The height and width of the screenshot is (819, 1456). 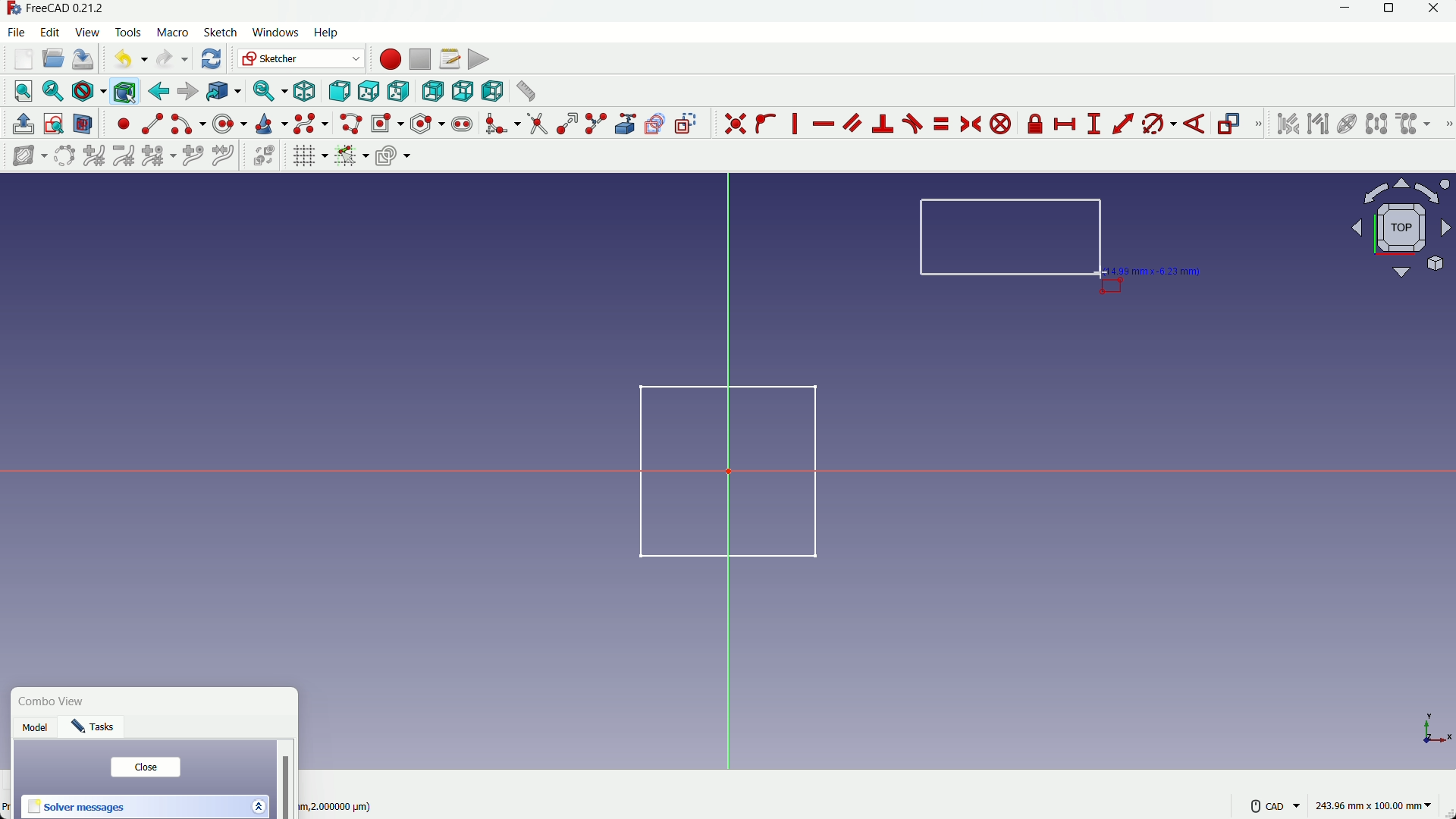 What do you see at coordinates (193, 154) in the screenshot?
I see `insert knot` at bounding box center [193, 154].